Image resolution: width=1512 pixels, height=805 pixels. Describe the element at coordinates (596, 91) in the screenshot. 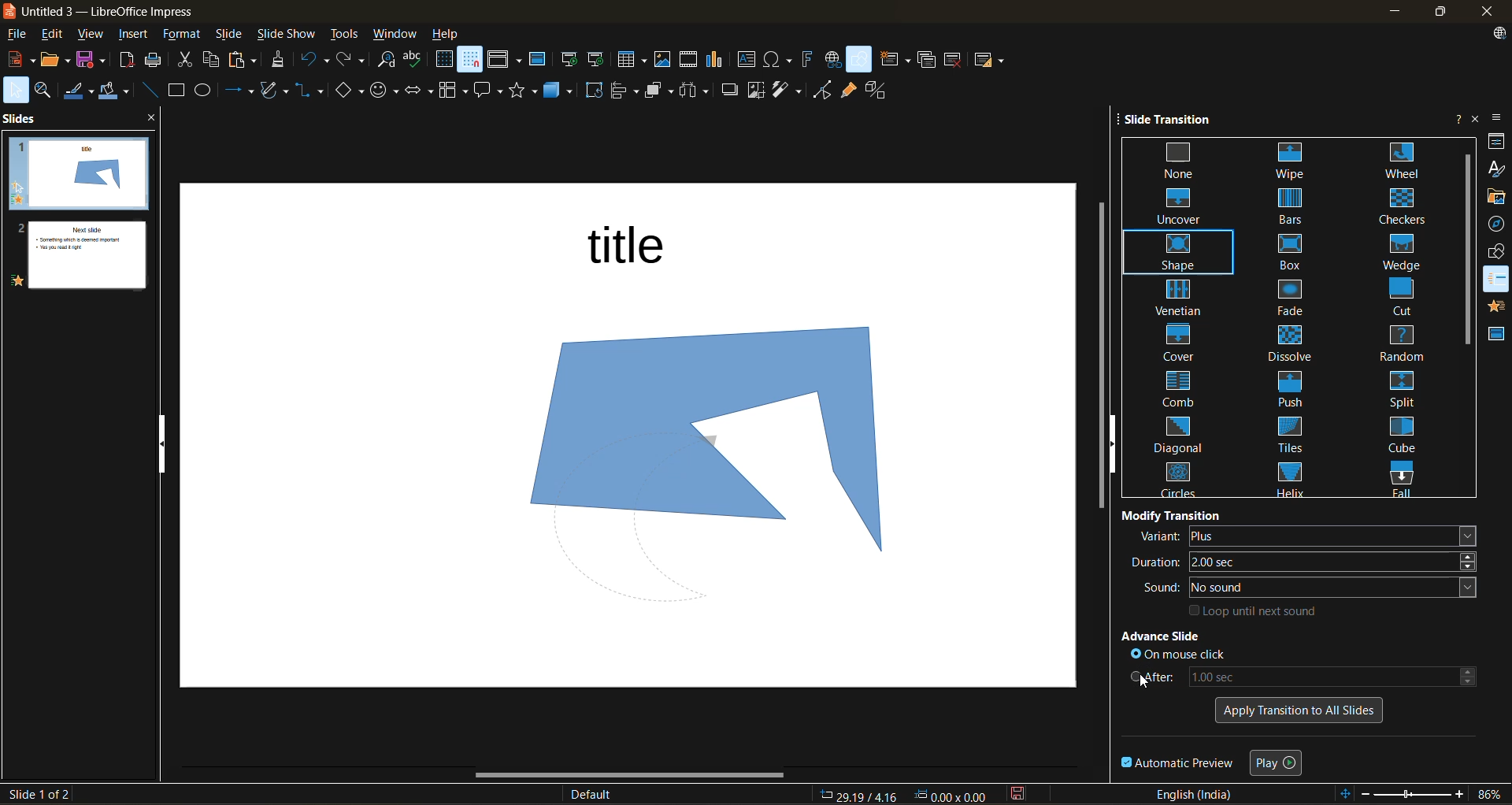

I see `rotate` at that location.